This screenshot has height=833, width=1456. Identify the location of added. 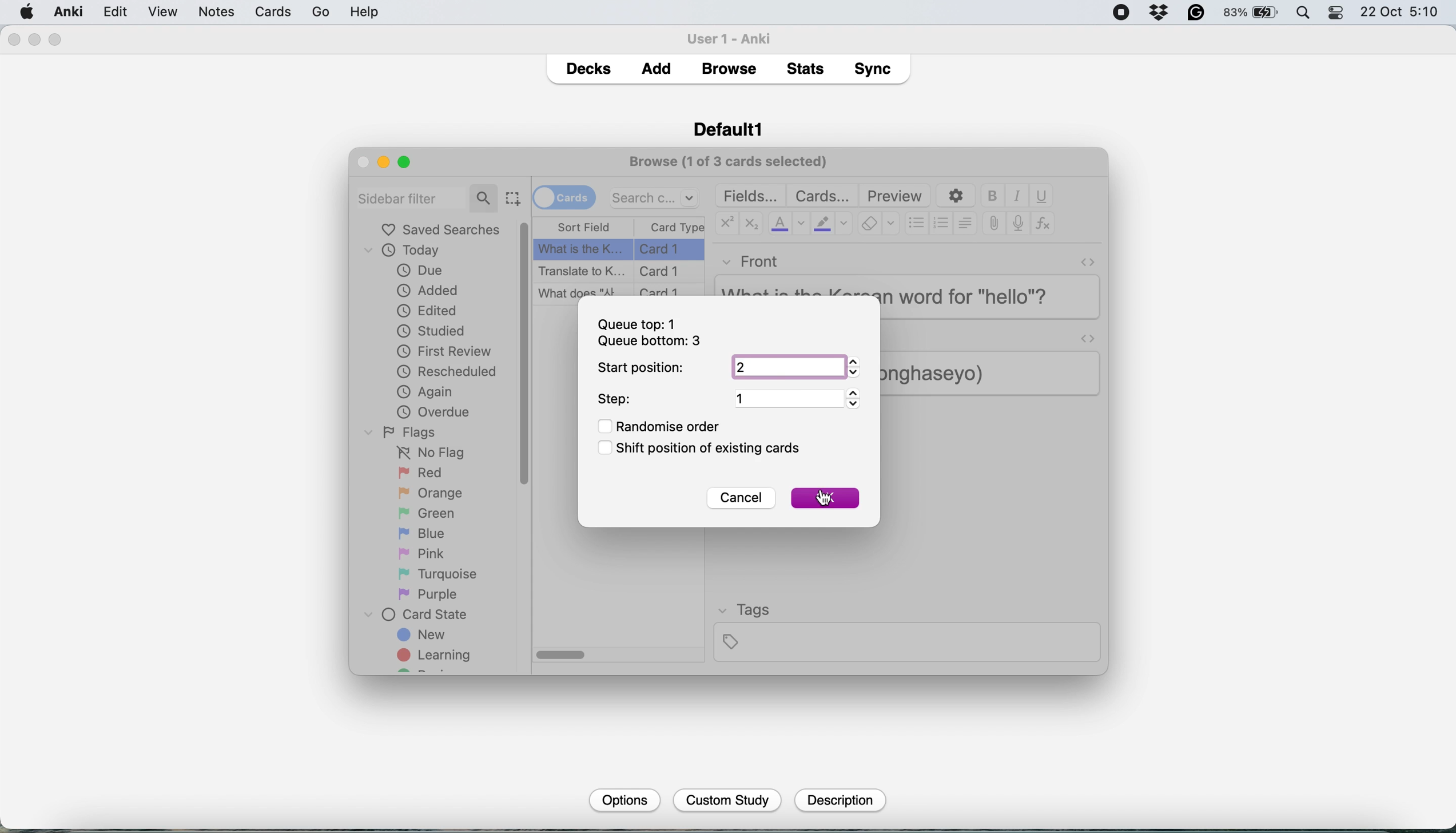
(429, 289).